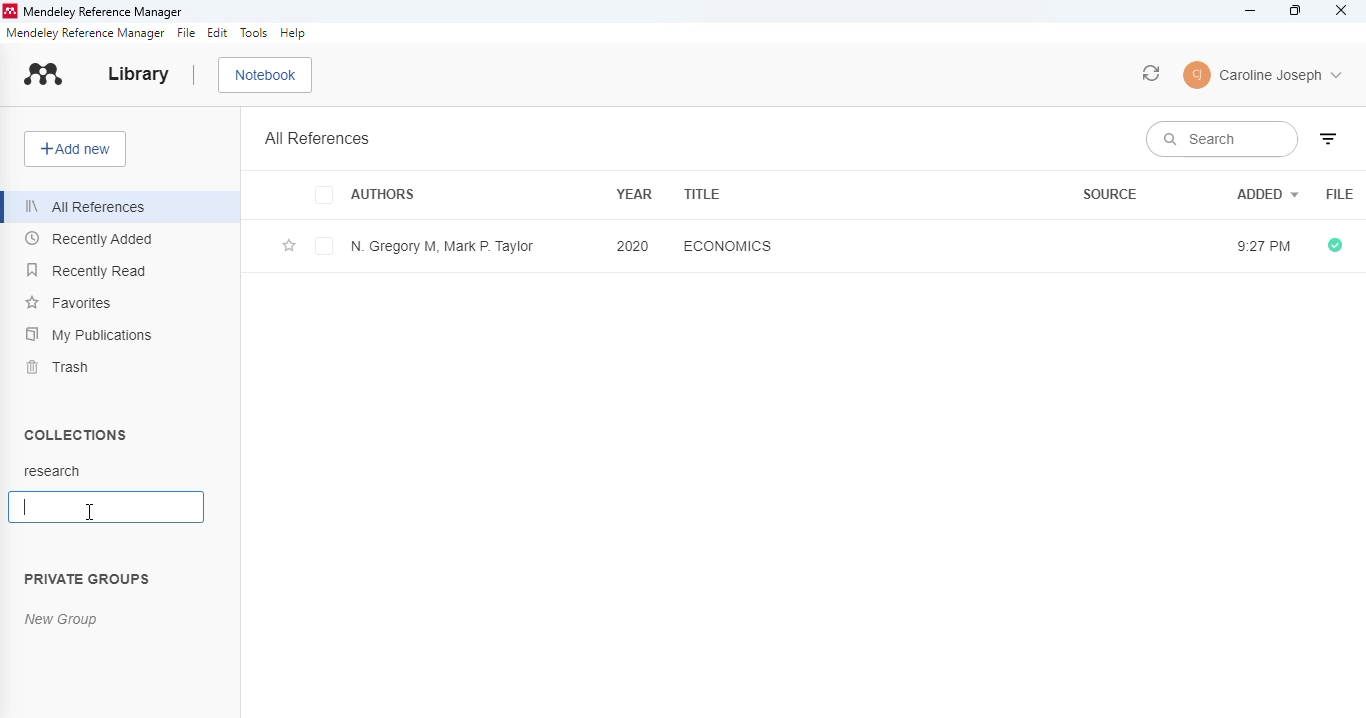  I want to click on user icon, so click(1198, 75).